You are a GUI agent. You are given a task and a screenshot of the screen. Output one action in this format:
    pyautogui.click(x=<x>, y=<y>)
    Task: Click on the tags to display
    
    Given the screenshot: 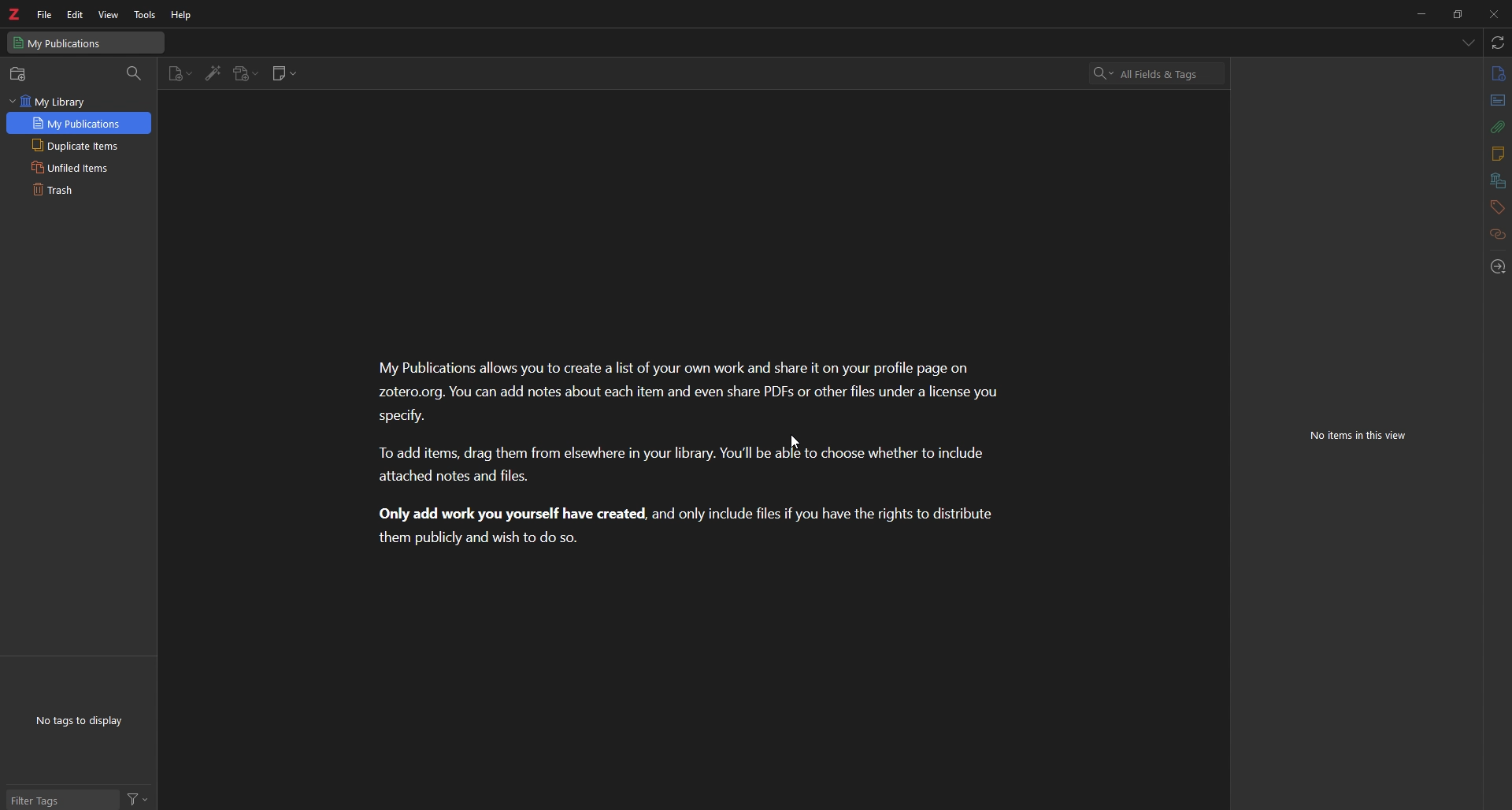 What is the action you would take?
    pyautogui.click(x=83, y=721)
    